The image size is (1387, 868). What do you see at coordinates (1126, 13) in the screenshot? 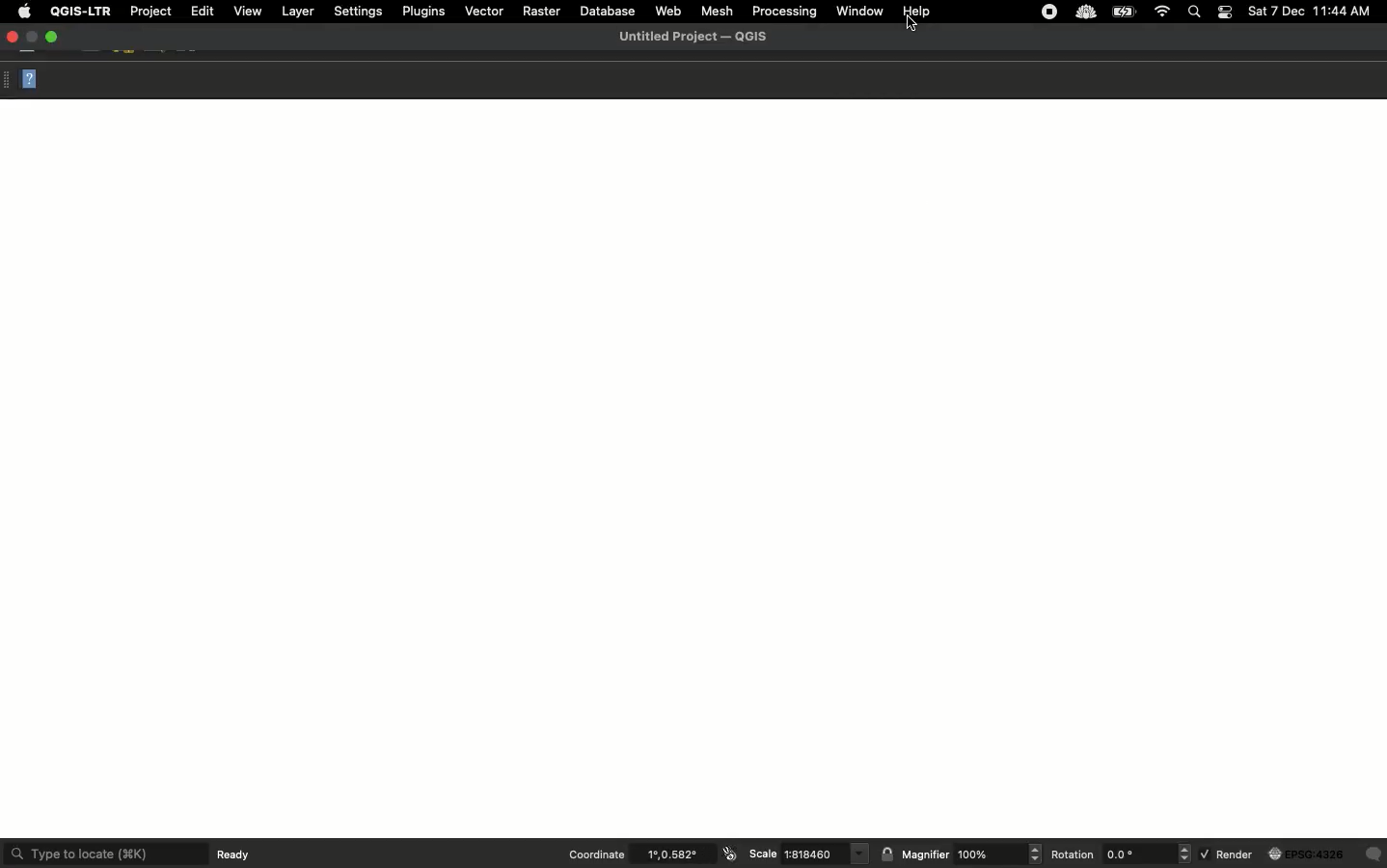
I see `Charge` at bounding box center [1126, 13].